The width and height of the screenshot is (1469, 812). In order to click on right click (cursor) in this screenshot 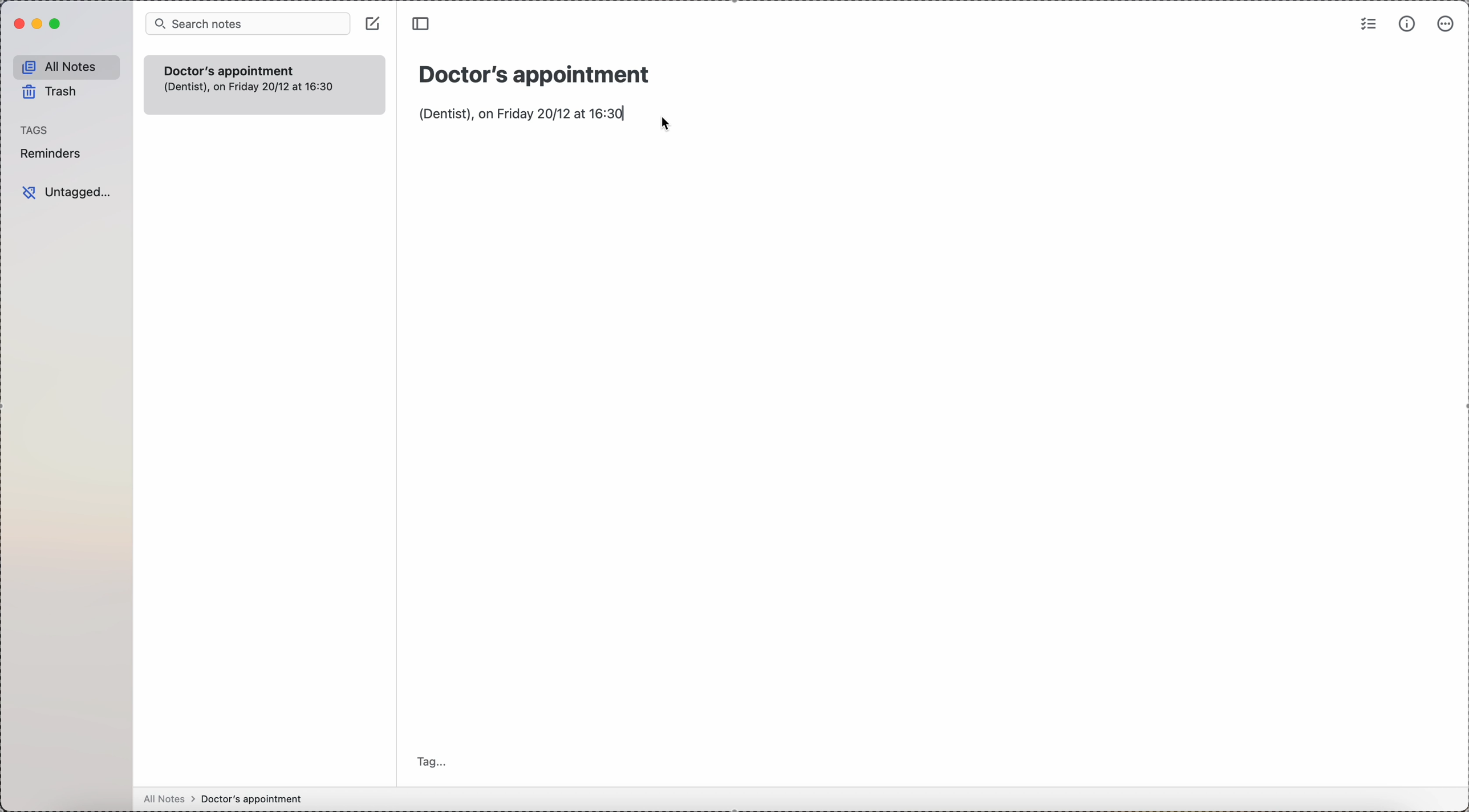, I will do `click(671, 124)`.